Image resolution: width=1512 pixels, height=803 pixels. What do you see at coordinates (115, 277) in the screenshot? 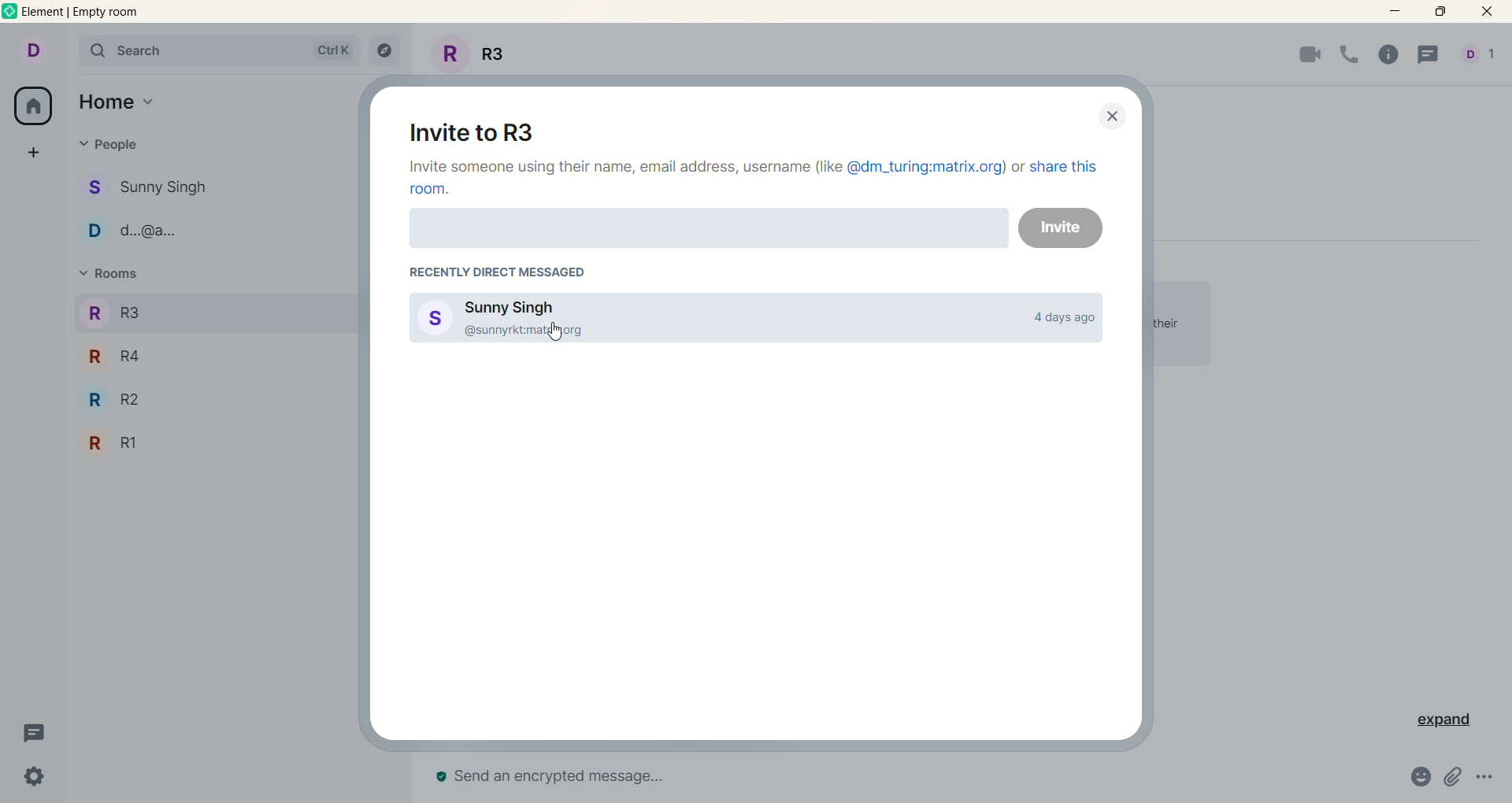
I see `rooms` at bounding box center [115, 277].